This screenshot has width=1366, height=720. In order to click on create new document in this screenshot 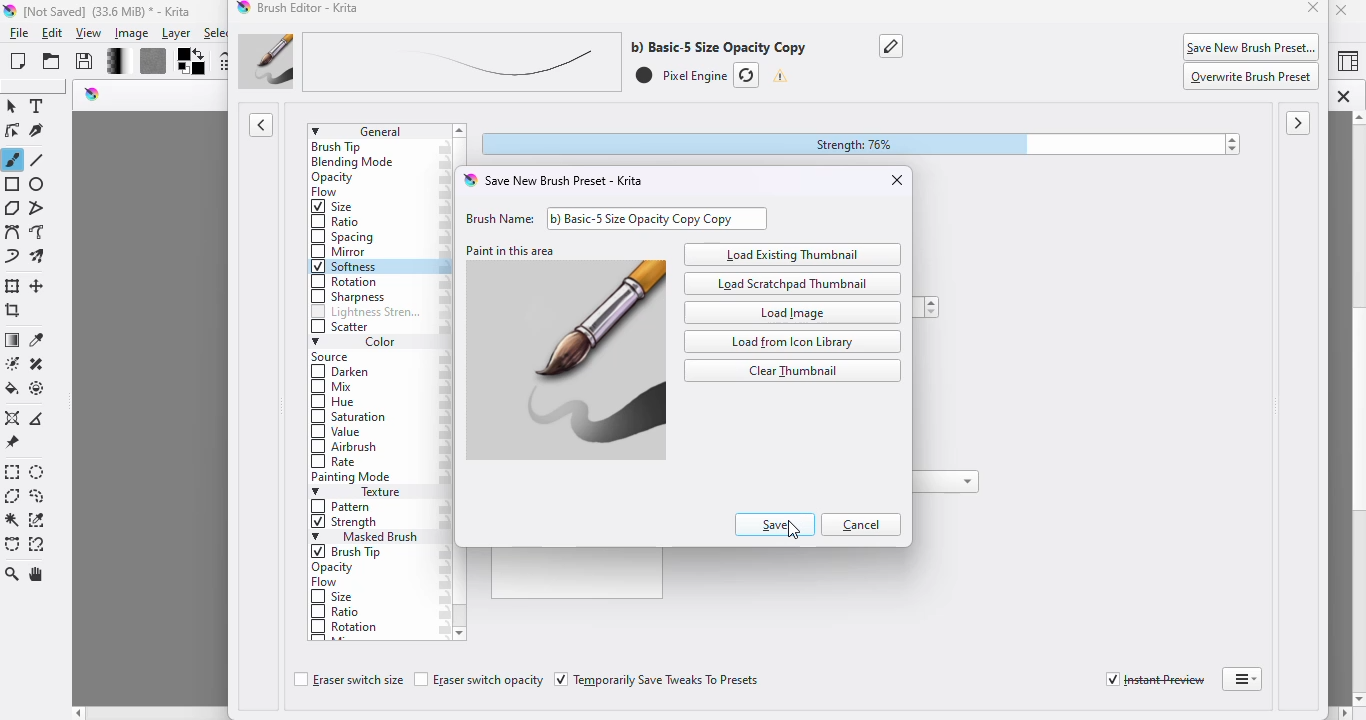, I will do `click(18, 61)`.